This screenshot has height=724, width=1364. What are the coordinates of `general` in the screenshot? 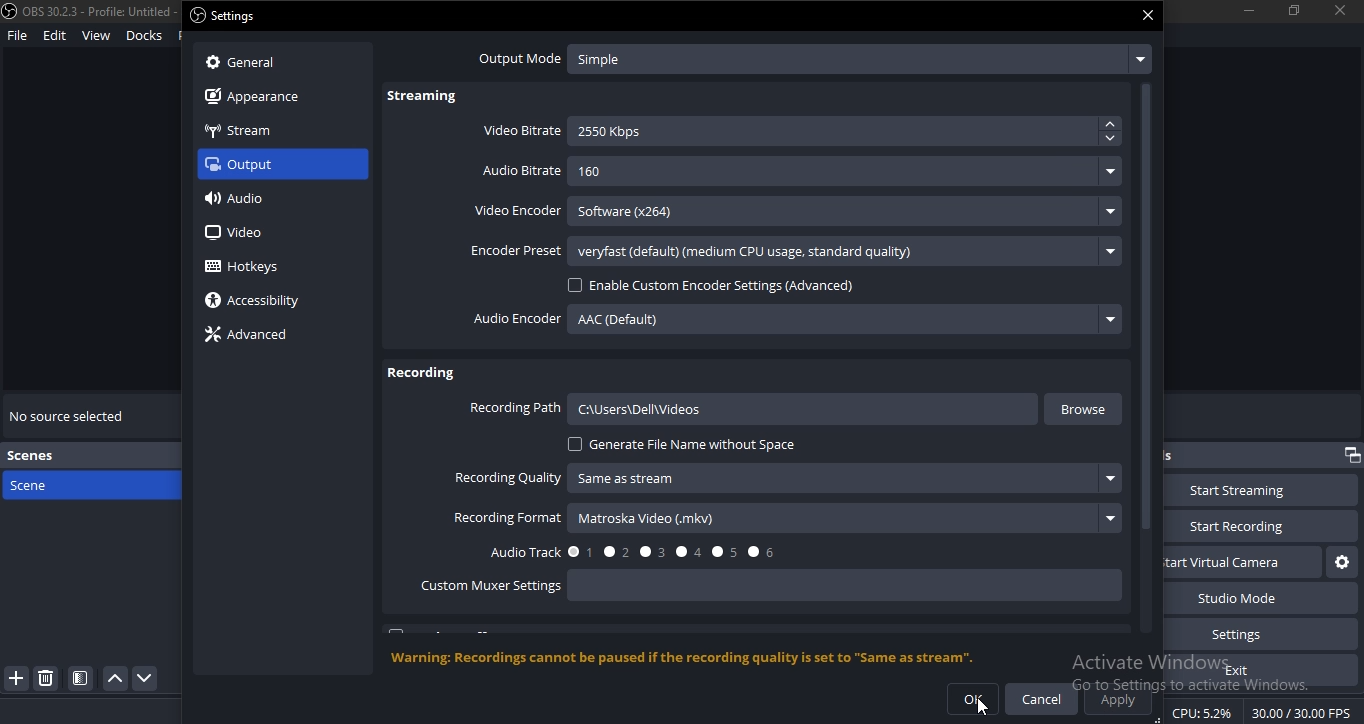 It's located at (266, 62).